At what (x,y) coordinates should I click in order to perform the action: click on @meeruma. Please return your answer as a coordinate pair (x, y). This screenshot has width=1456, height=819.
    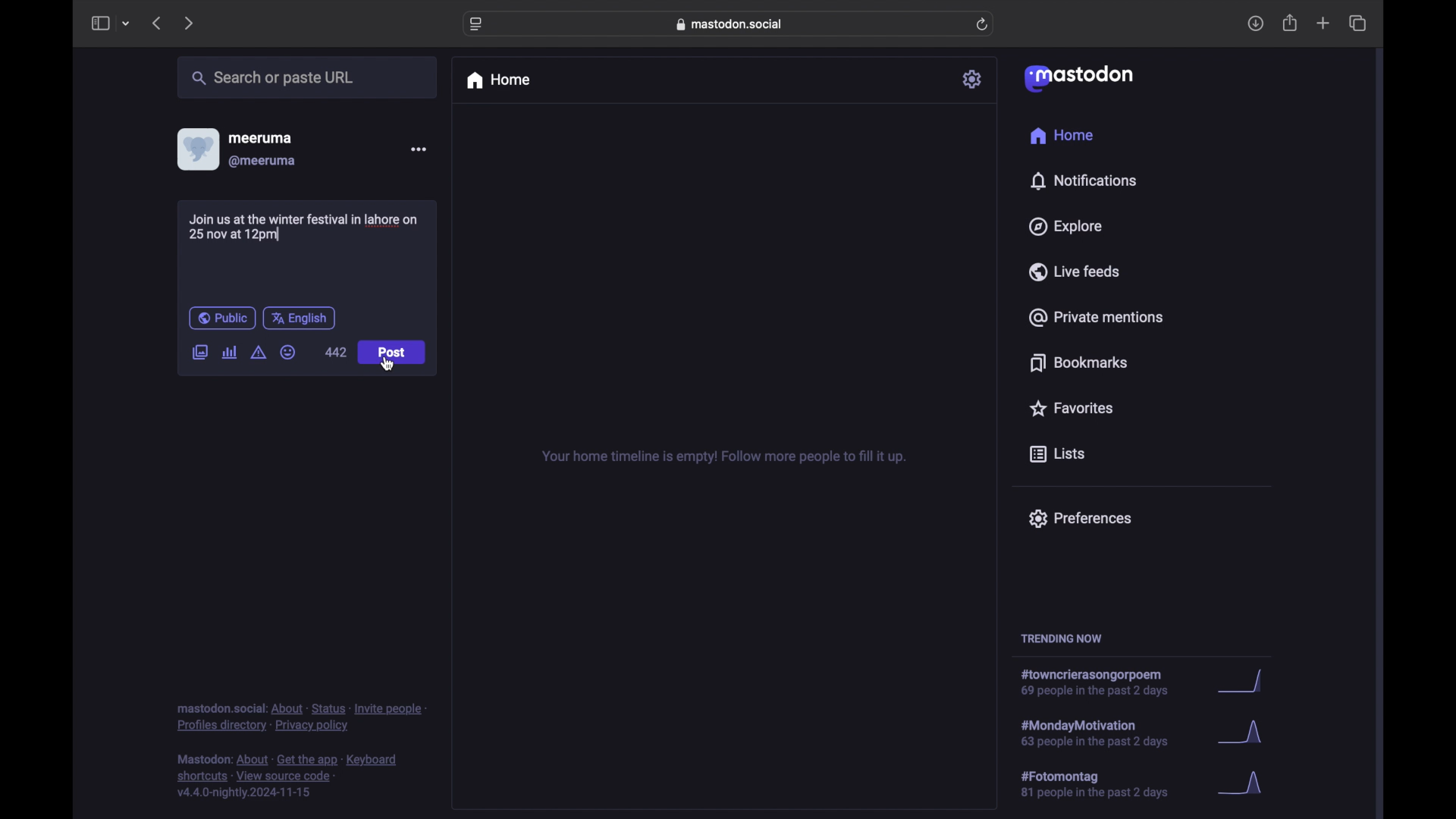
    Looking at the image, I should click on (262, 162).